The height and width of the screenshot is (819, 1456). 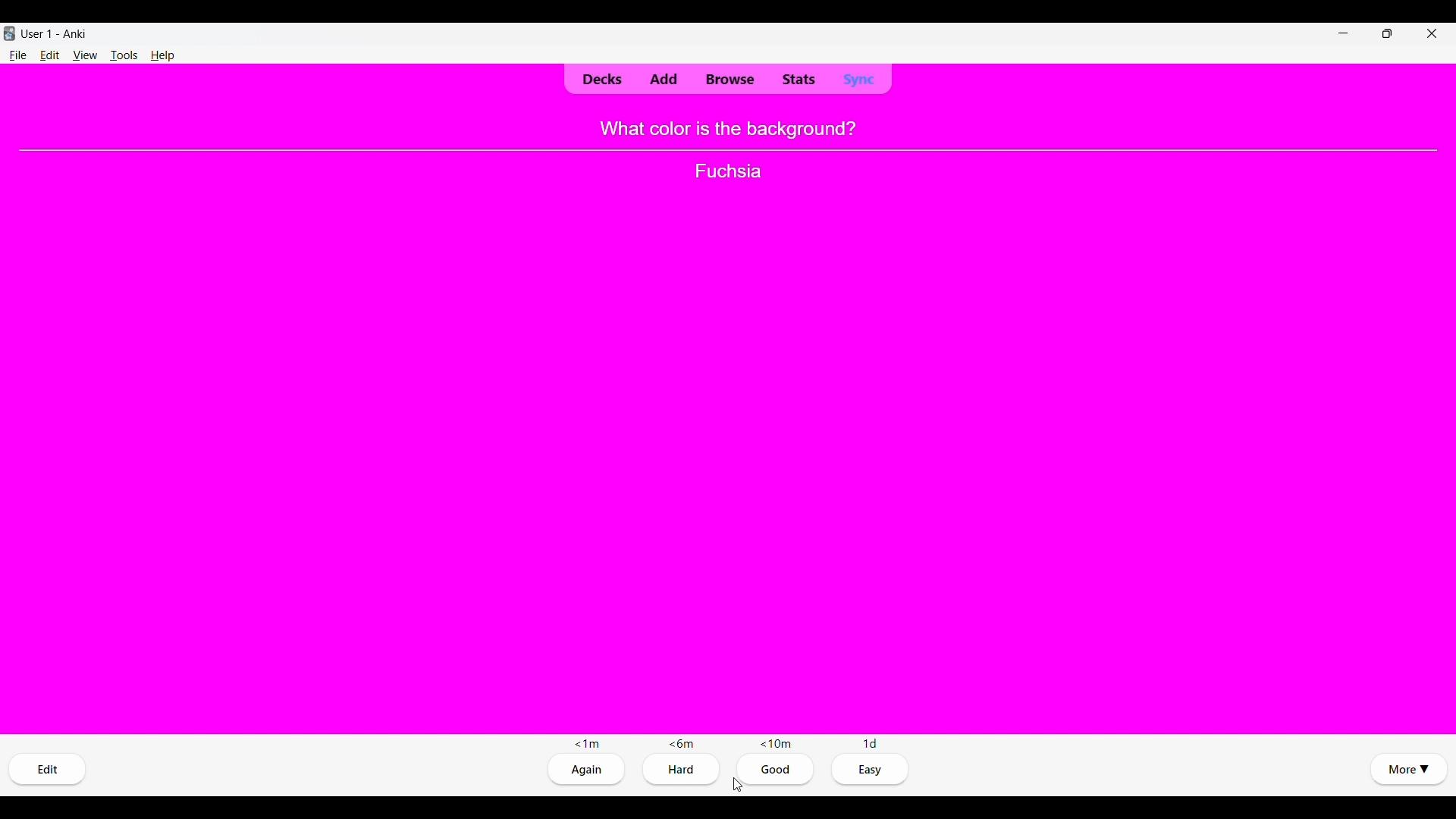 What do you see at coordinates (86, 55) in the screenshot?
I see `View menu` at bounding box center [86, 55].